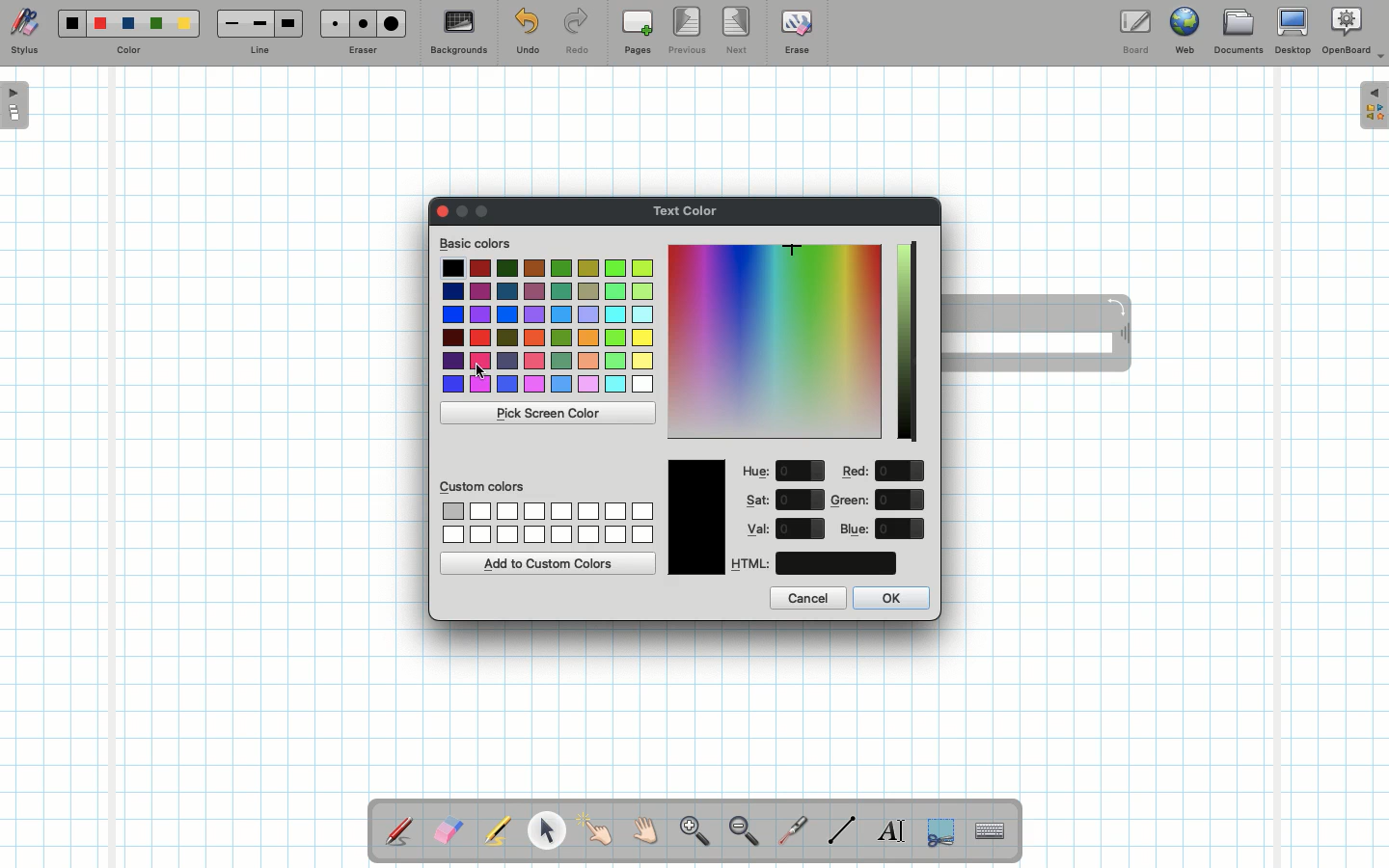 This screenshot has height=868, width=1389. What do you see at coordinates (330, 23) in the screenshot?
I see `Small eraser` at bounding box center [330, 23].